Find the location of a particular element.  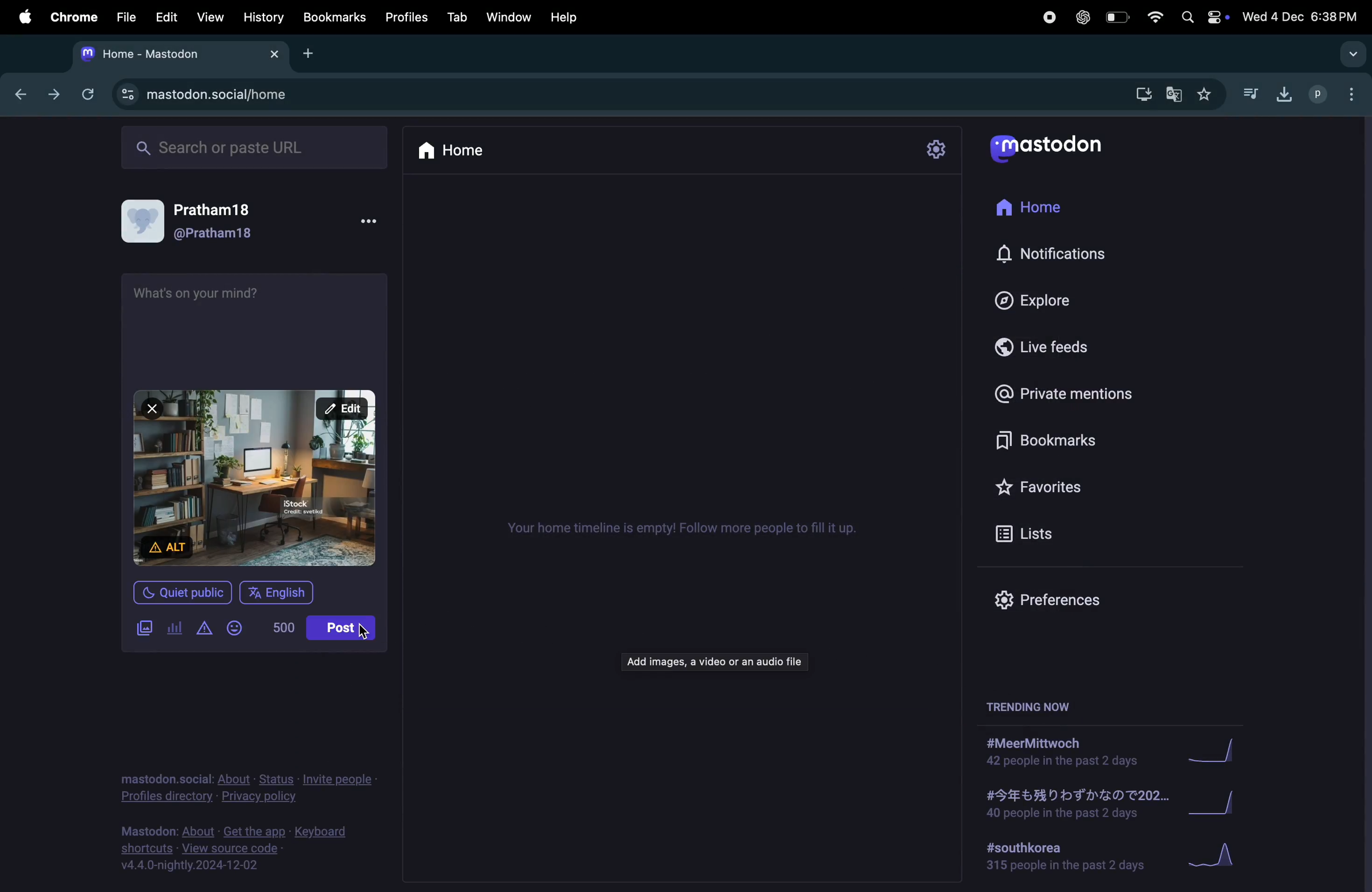

apple menu is located at coordinates (22, 17).